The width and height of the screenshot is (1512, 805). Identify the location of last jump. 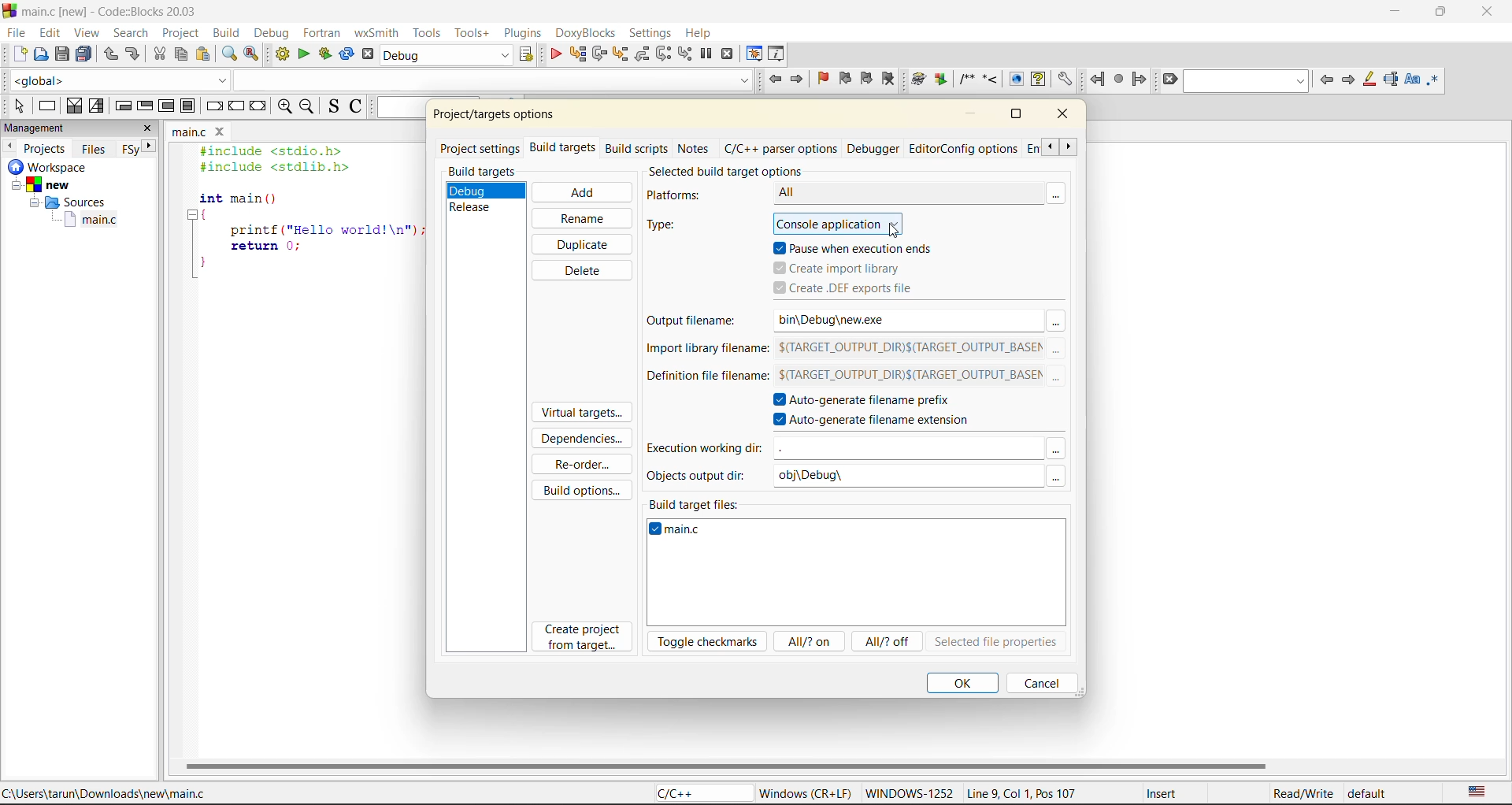
(1117, 80).